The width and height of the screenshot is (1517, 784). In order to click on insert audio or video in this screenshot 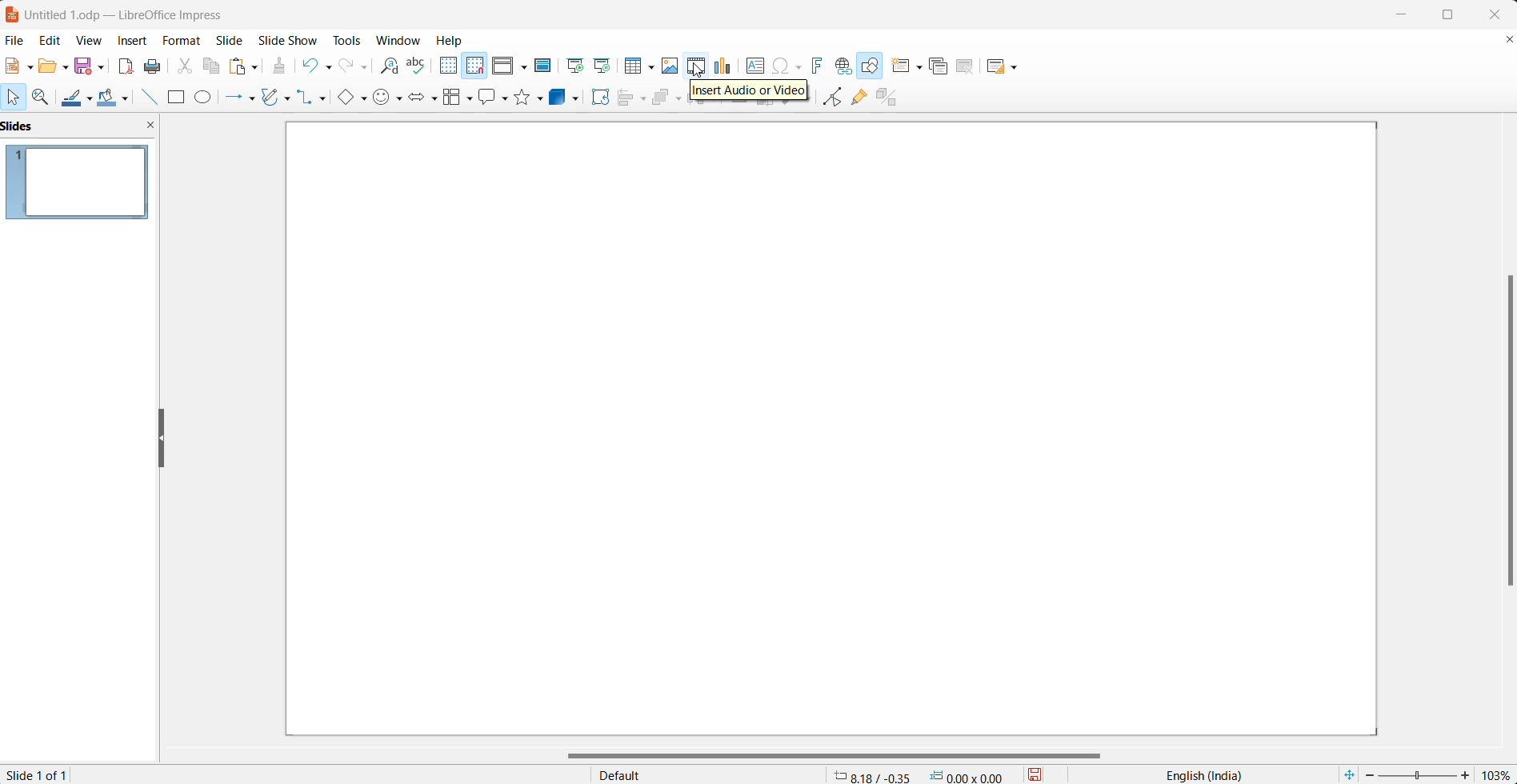, I will do `click(696, 65)`.